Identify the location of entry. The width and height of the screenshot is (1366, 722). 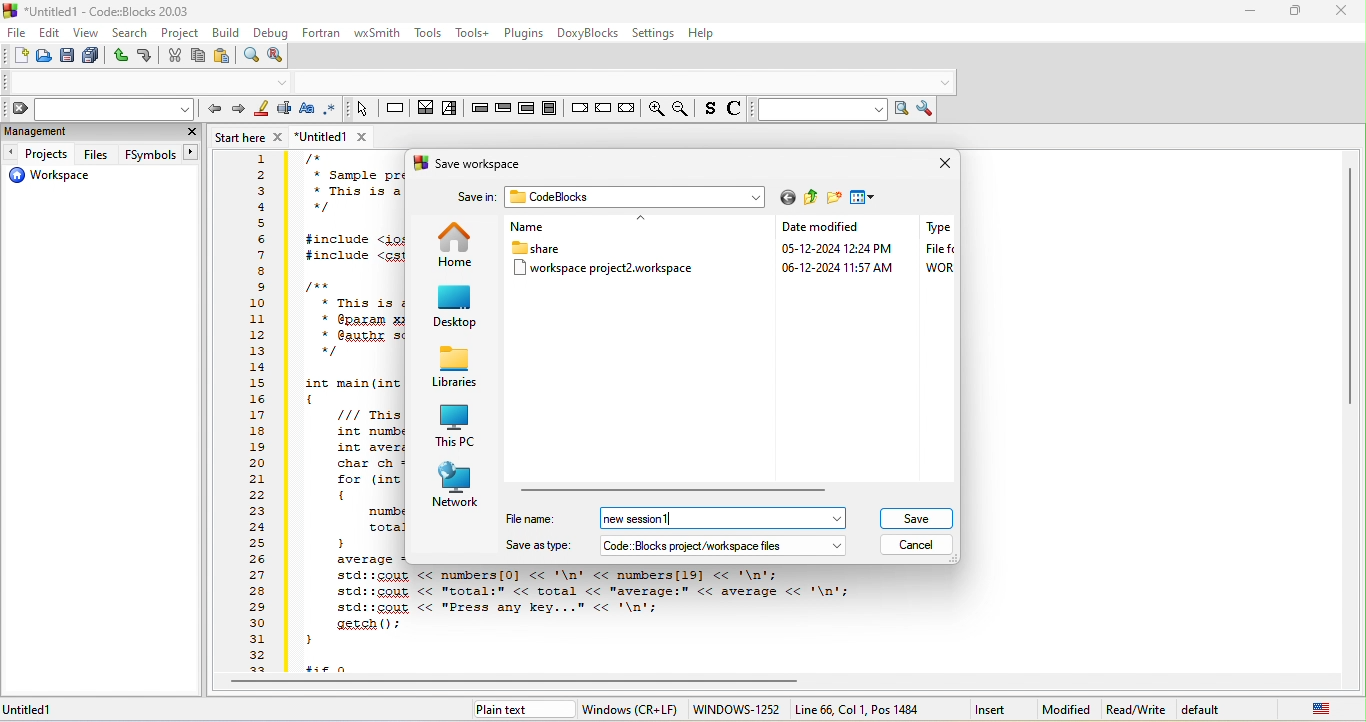
(480, 111).